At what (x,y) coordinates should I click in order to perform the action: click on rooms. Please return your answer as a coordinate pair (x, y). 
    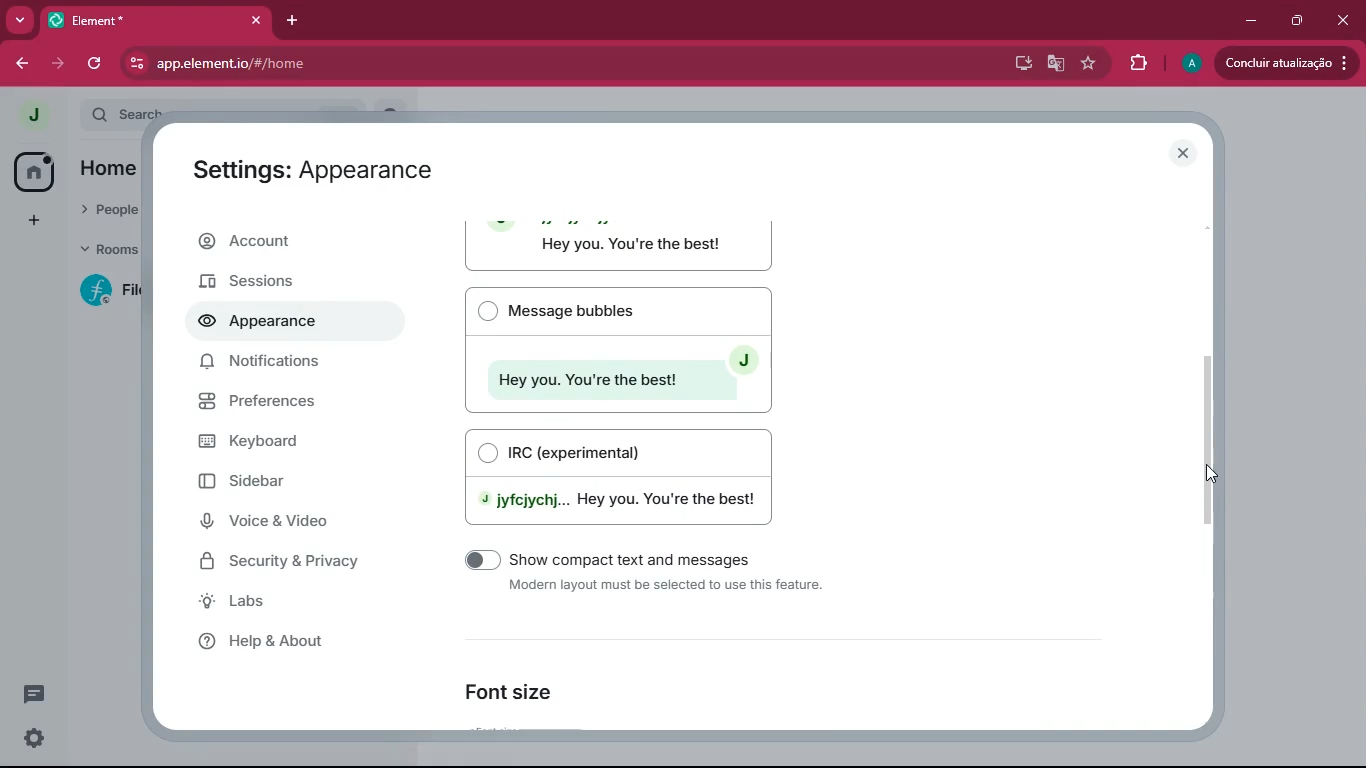
    Looking at the image, I should click on (106, 248).